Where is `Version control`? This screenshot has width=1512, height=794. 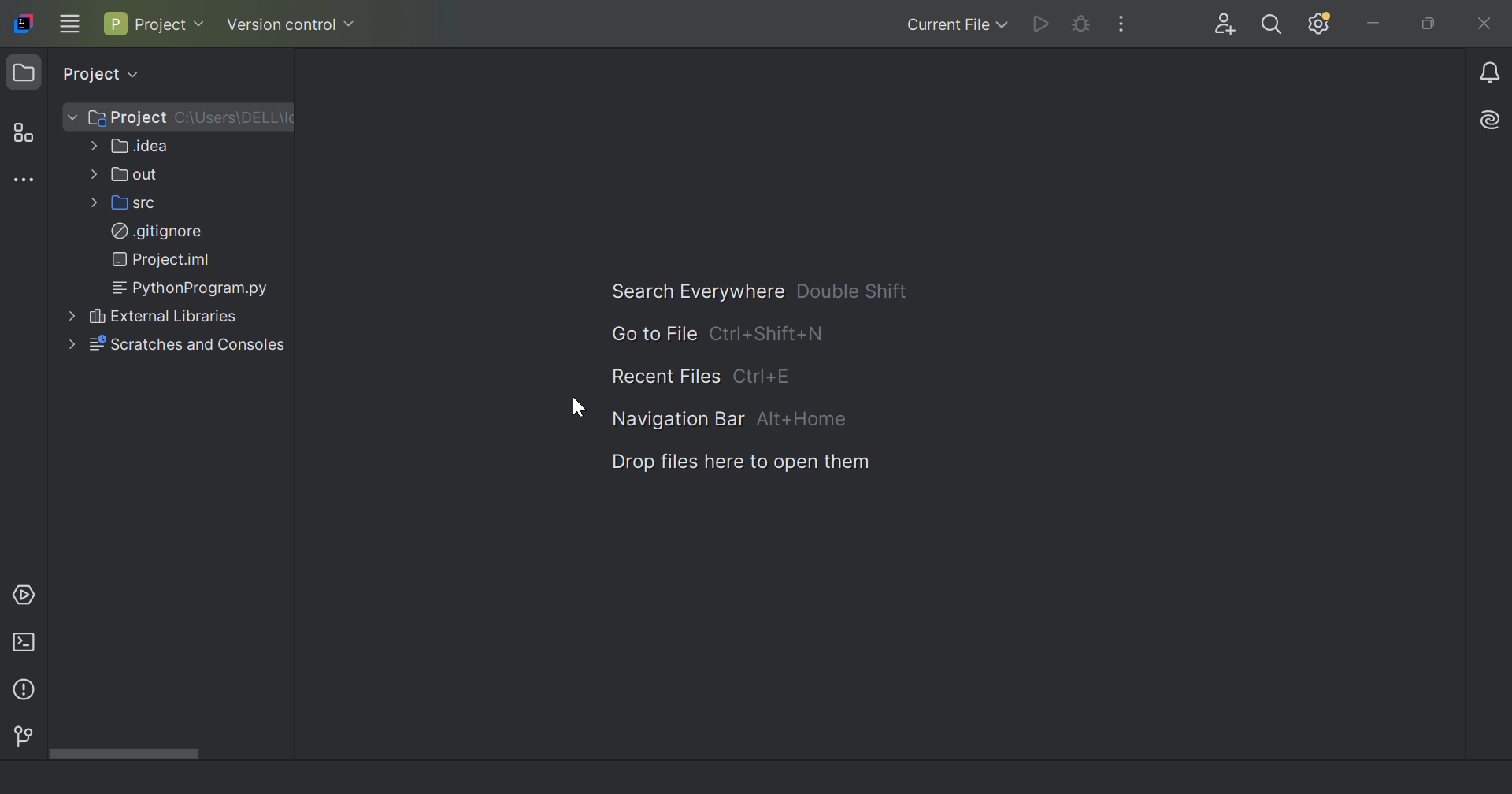 Version control is located at coordinates (292, 24).